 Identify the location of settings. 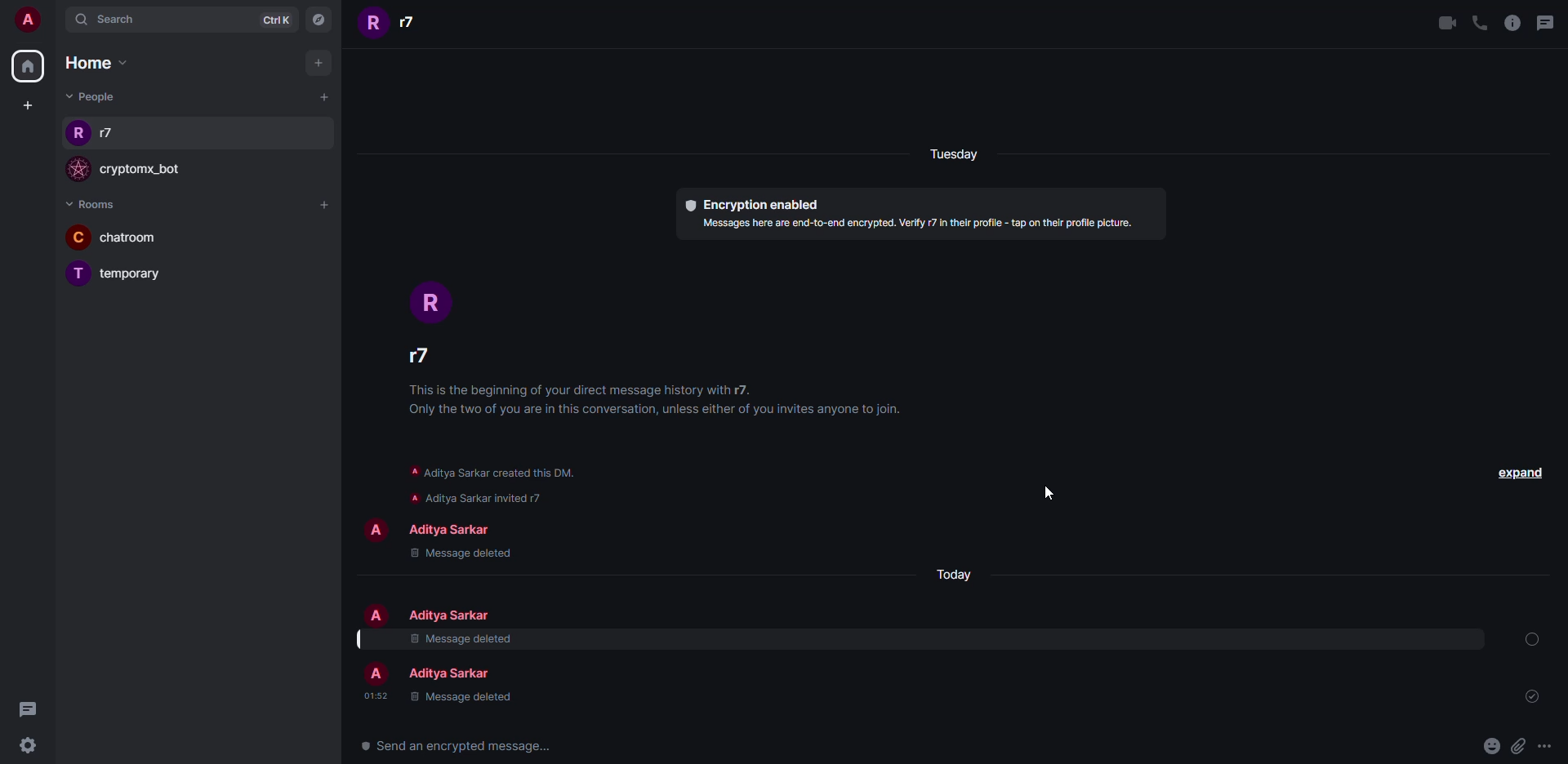
(35, 747).